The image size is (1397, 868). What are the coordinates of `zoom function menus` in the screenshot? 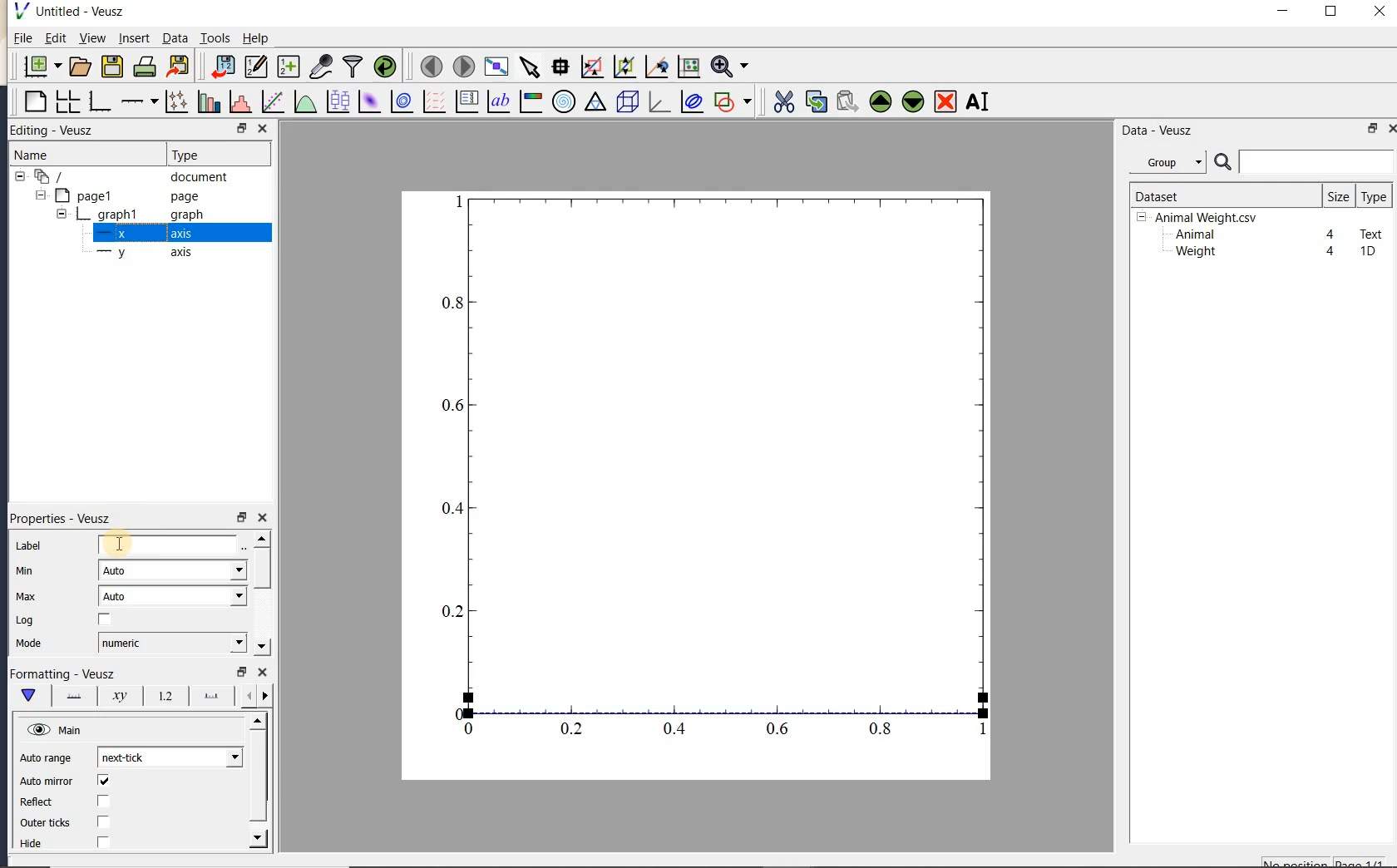 It's located at (729, 67).